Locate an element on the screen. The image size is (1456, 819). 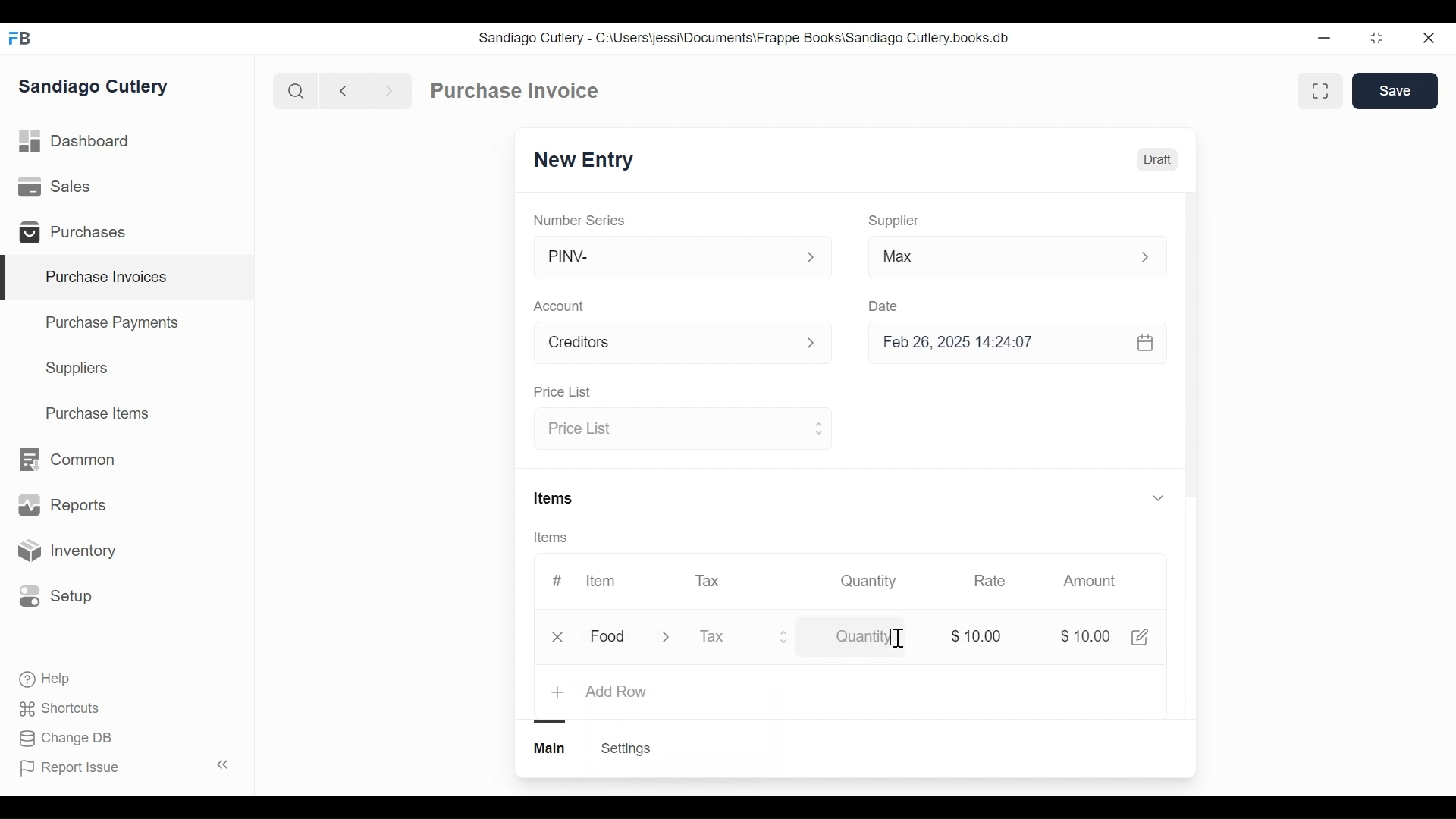
$0.00 is located at coordinates (1088, 638).